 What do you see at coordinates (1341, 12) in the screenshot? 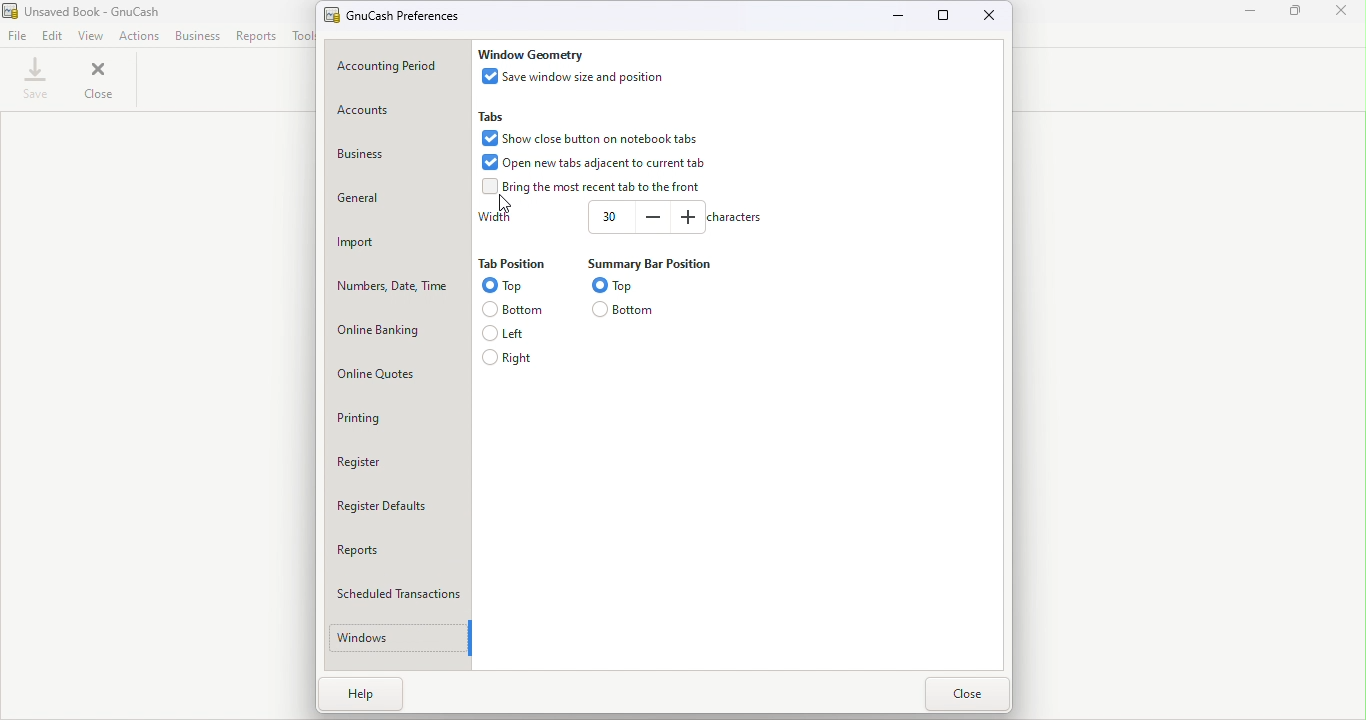
I see `Close` at bounding box center [1341, 12].